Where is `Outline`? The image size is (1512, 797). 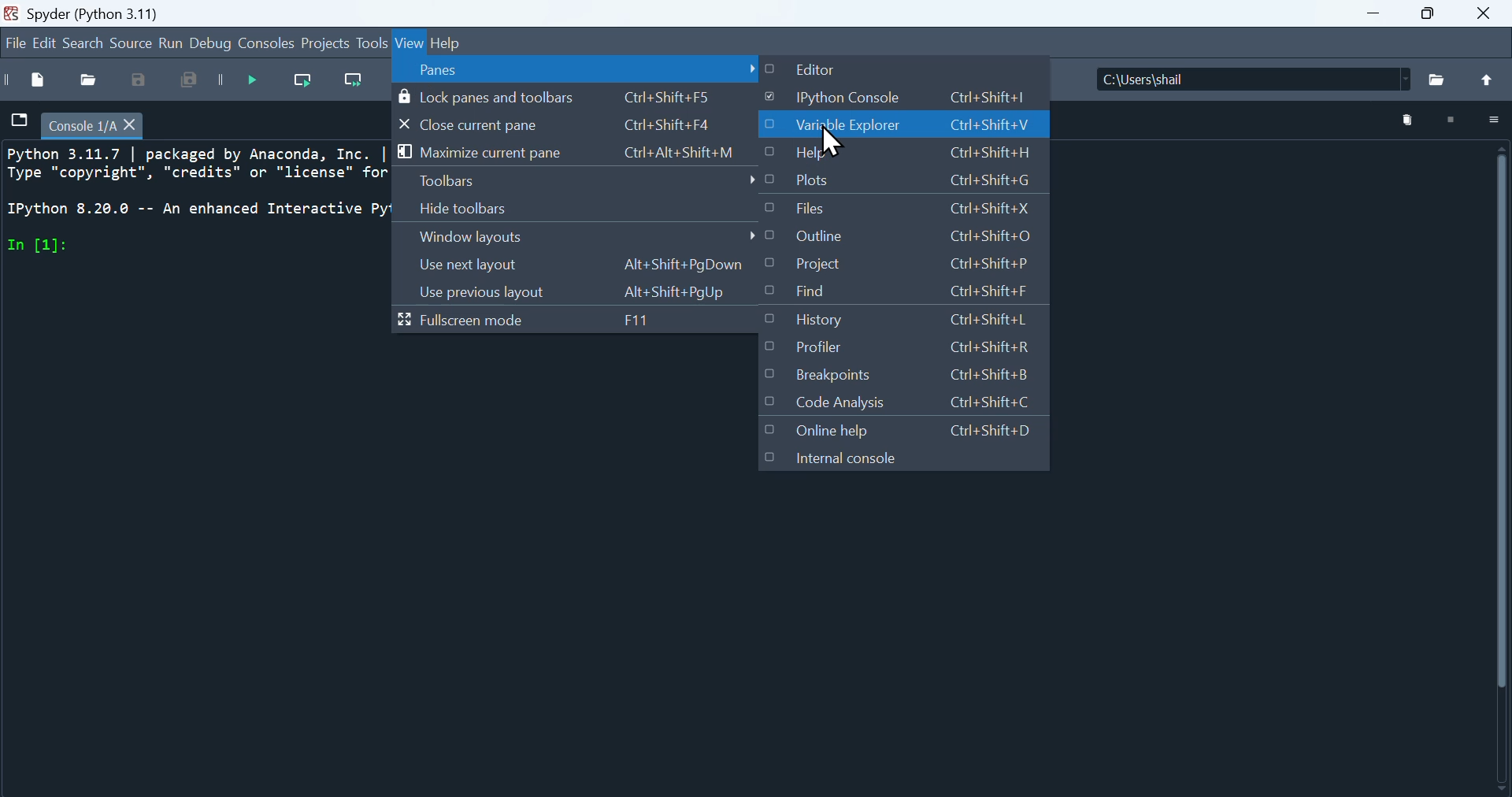
Outline is located at coordinates (903, 236).